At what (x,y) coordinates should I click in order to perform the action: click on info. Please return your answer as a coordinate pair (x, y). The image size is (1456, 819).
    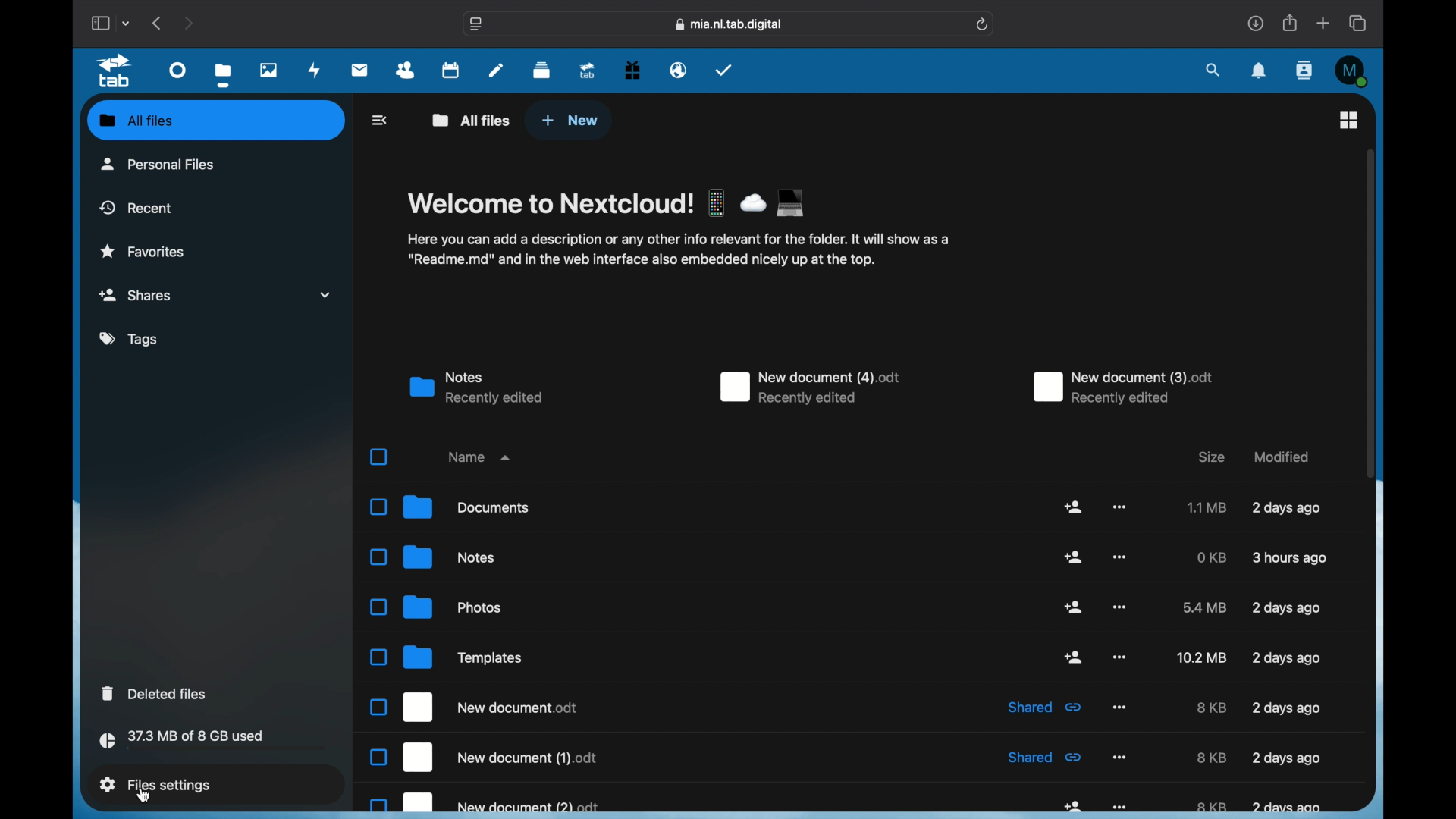
    Looking at the image, I should click on (678, 250).